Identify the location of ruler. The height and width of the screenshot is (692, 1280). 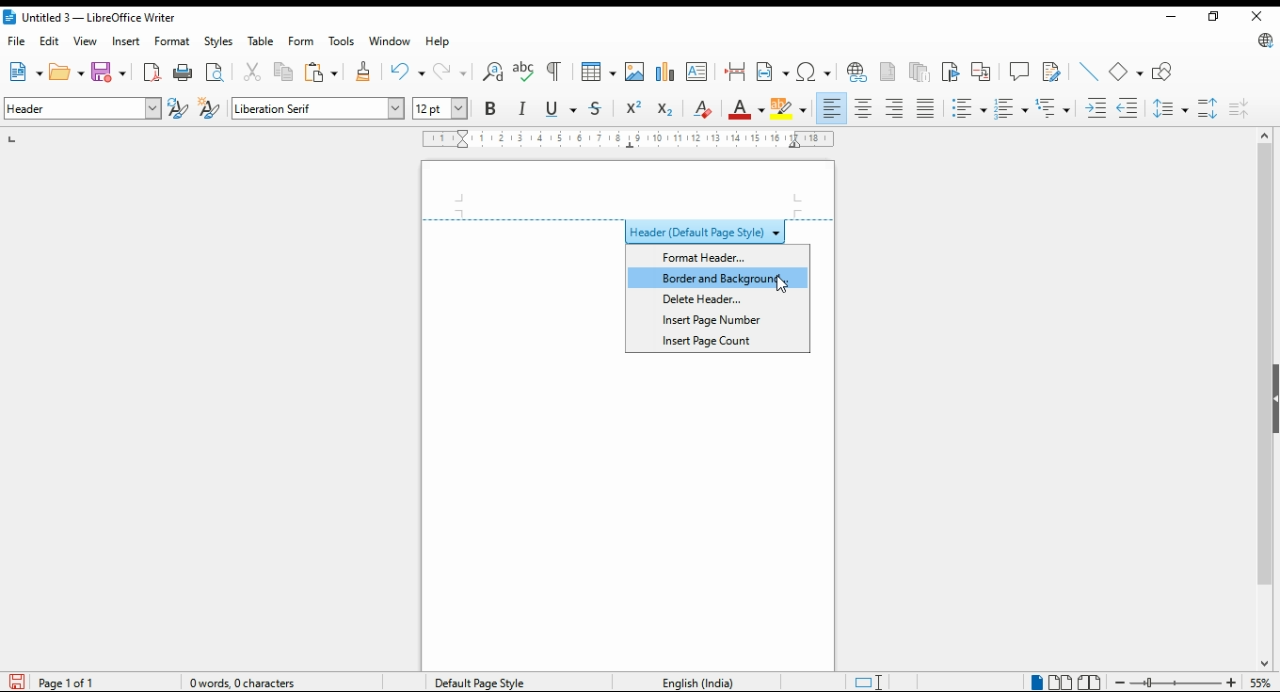
(629, 139).